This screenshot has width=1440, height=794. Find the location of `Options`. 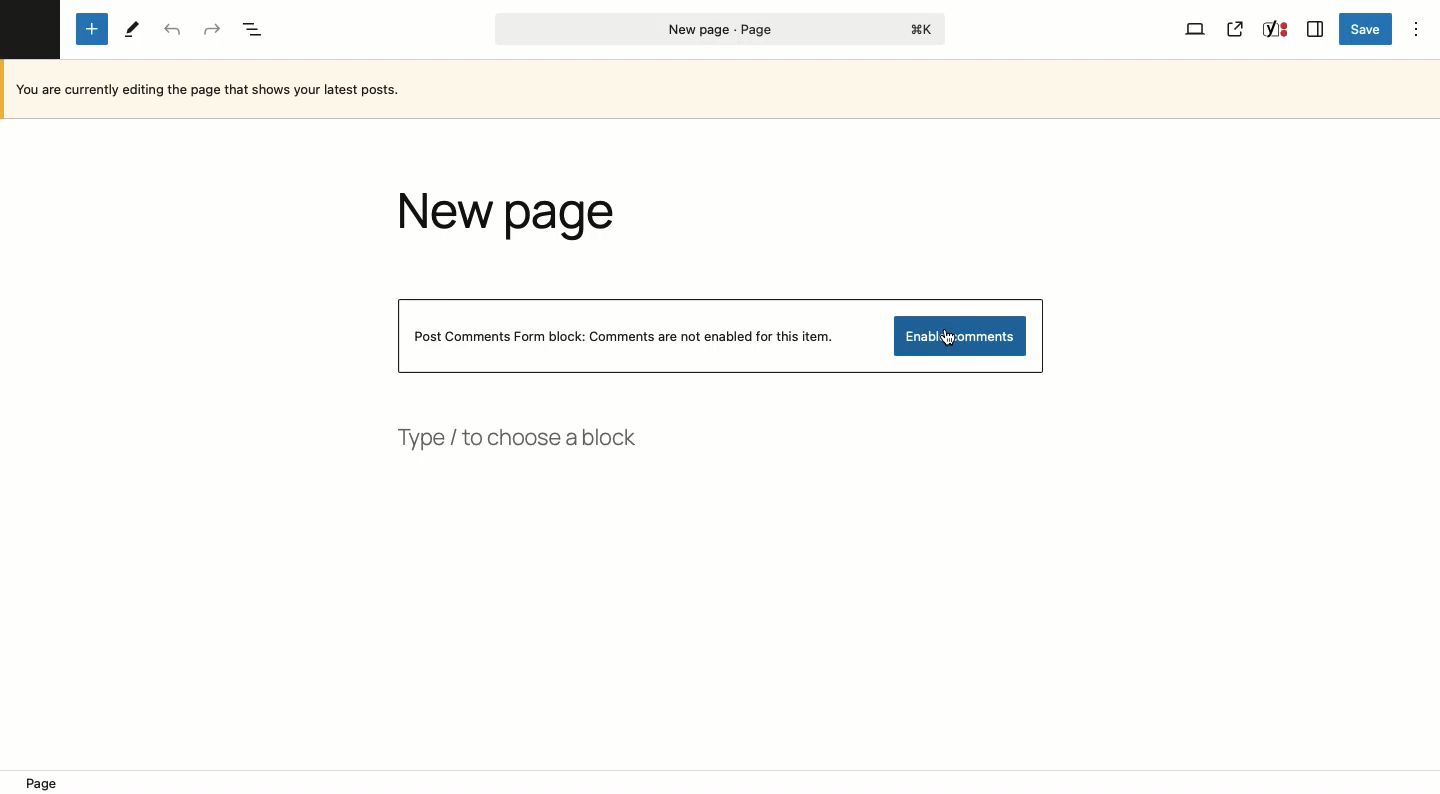

Options is located at coordinates (1417, 29).